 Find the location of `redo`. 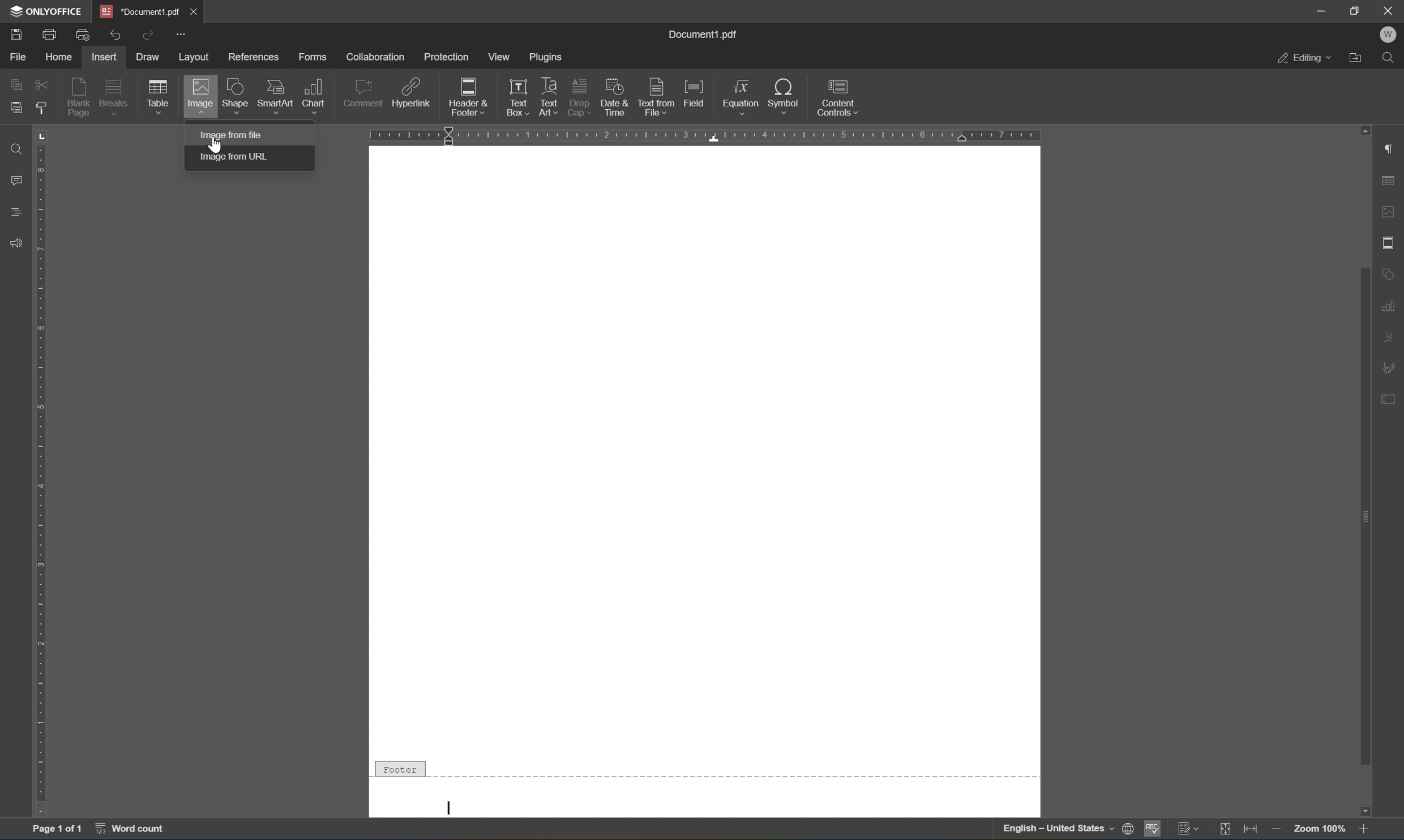

redo is located at coordinates (149, 37).